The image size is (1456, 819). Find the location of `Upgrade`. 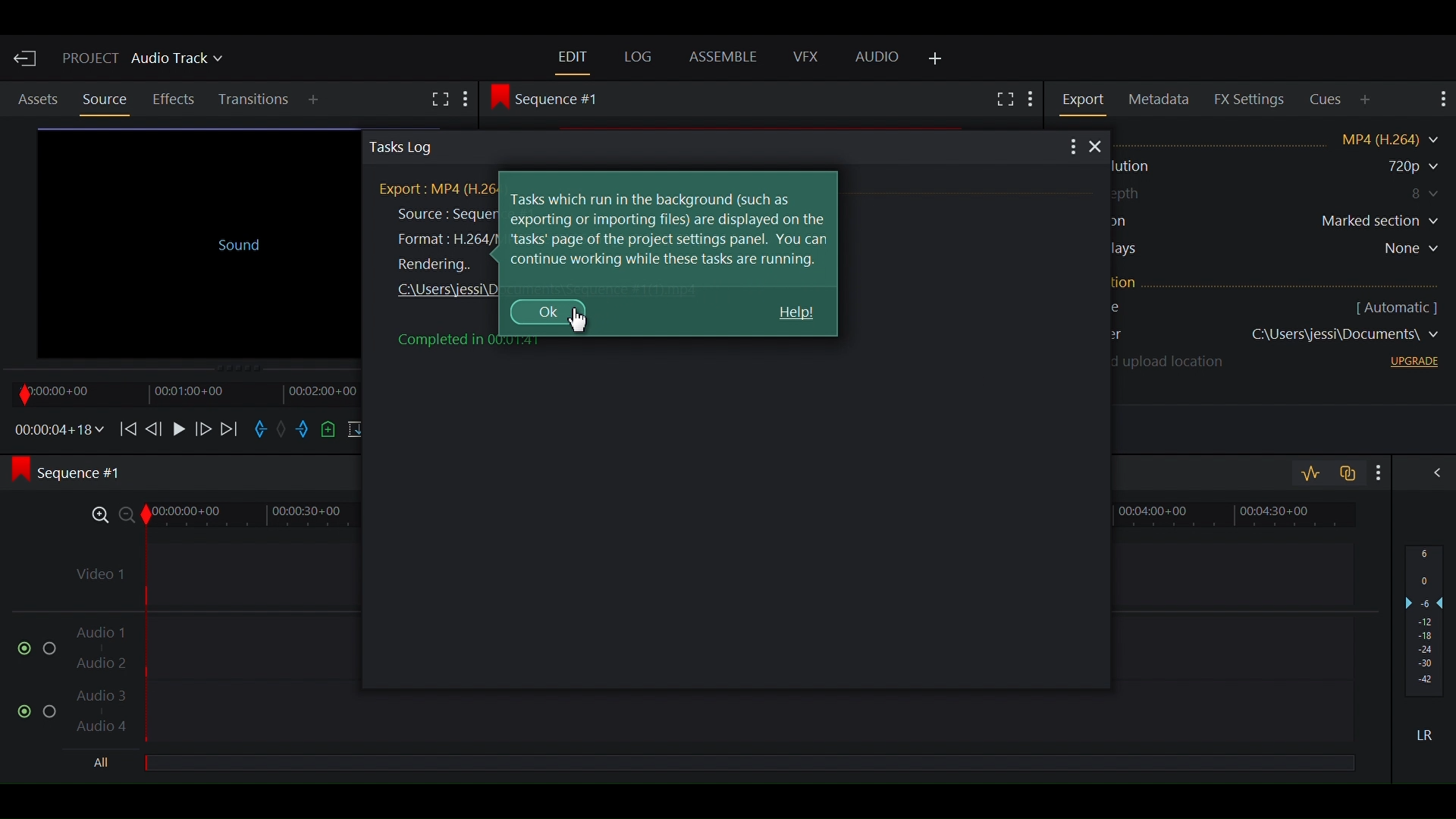

Upgrade is located at coordinates (1410, 364).